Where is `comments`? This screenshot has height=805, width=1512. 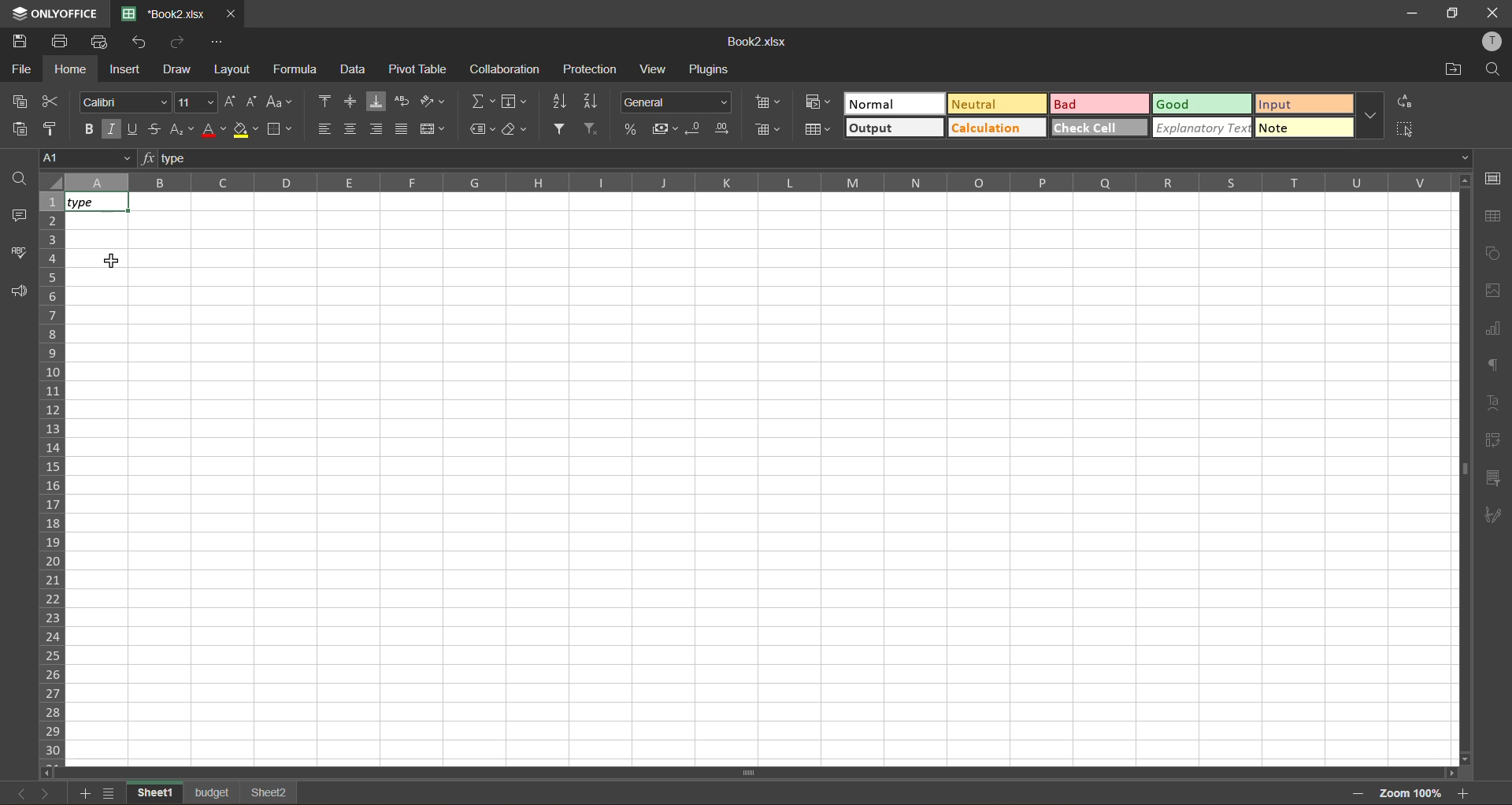
comments is located at coordinates (18, 217).